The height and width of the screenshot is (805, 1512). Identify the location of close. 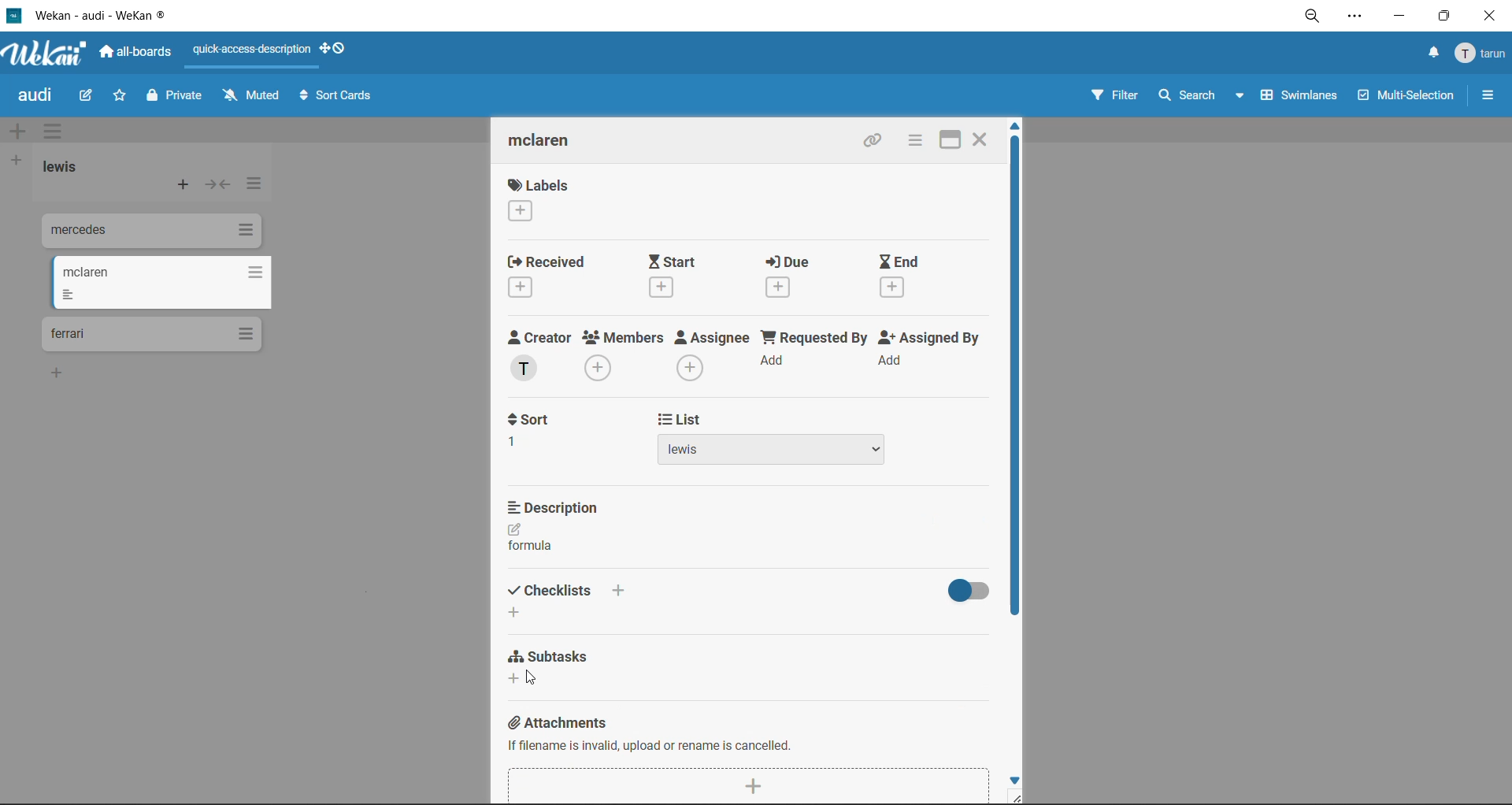
(981, 138).